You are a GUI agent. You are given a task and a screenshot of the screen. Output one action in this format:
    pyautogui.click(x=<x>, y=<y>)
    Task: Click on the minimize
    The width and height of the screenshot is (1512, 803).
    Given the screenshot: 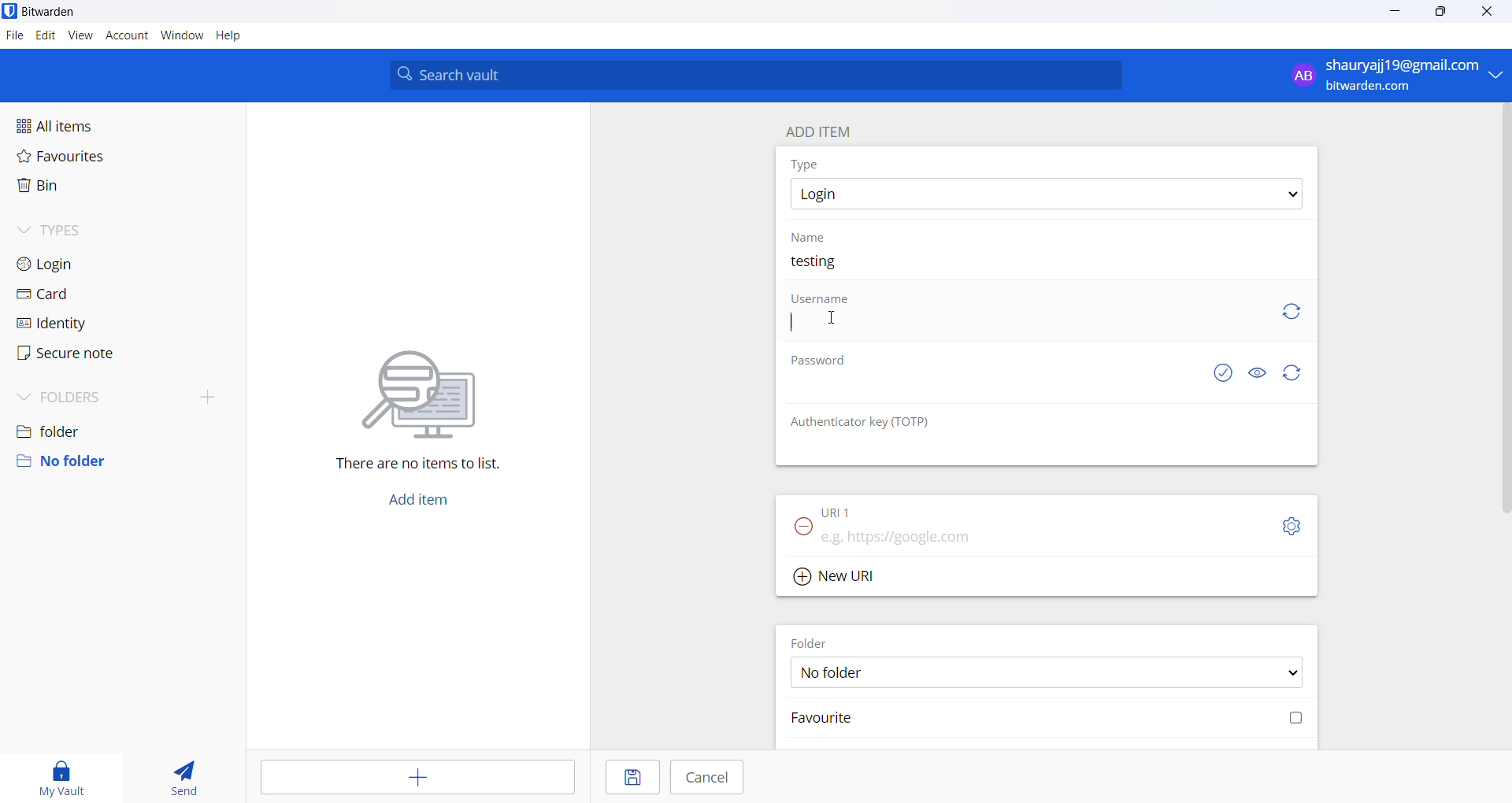 What is the action you would take?
    pyautogui.click(x=1396, y=12)
    